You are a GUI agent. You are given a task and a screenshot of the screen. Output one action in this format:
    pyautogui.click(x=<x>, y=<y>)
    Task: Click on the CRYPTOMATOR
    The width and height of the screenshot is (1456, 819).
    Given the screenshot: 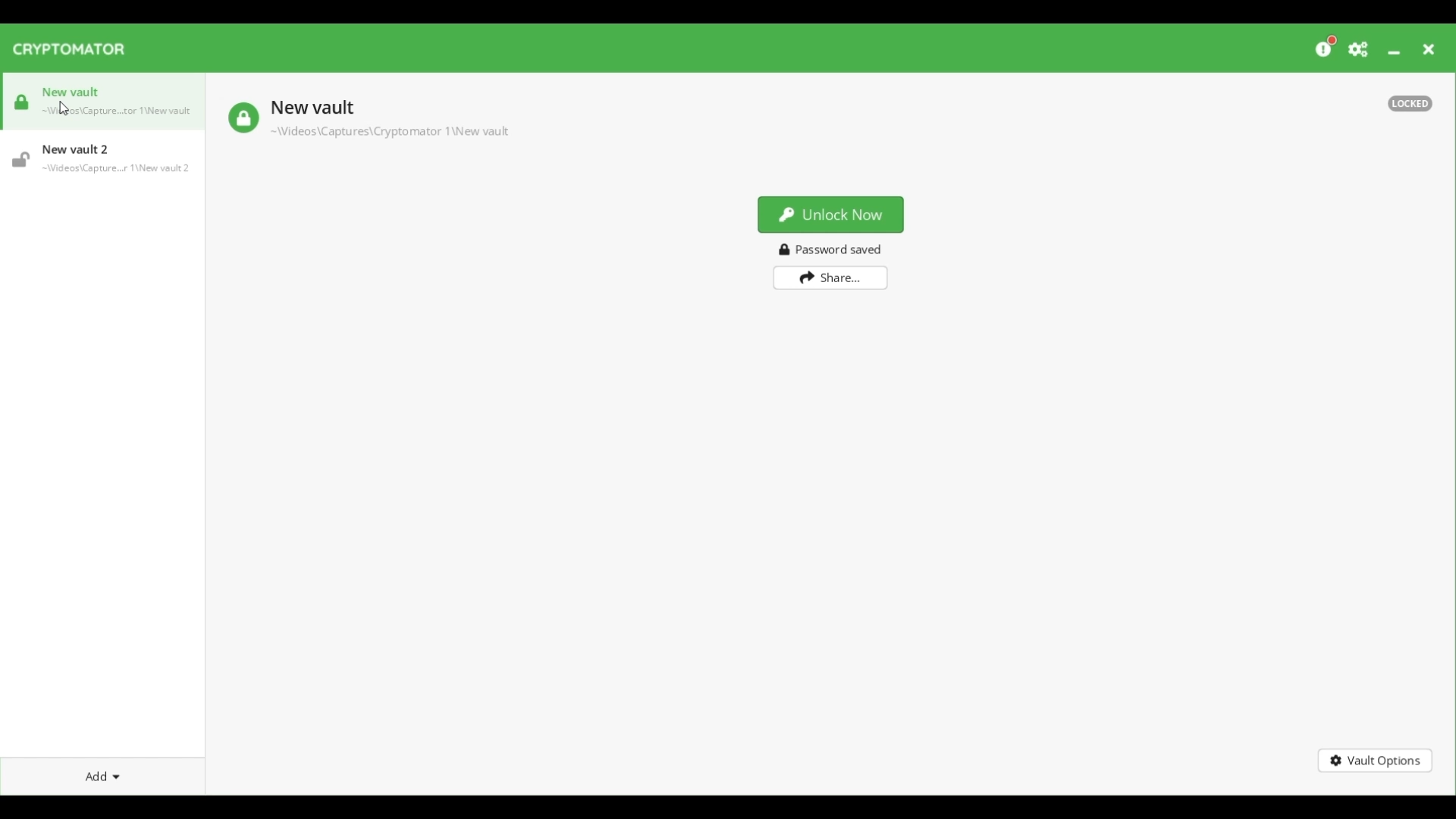 What is the action you would take?
    pyautogui.click(x=76, y=50)
    